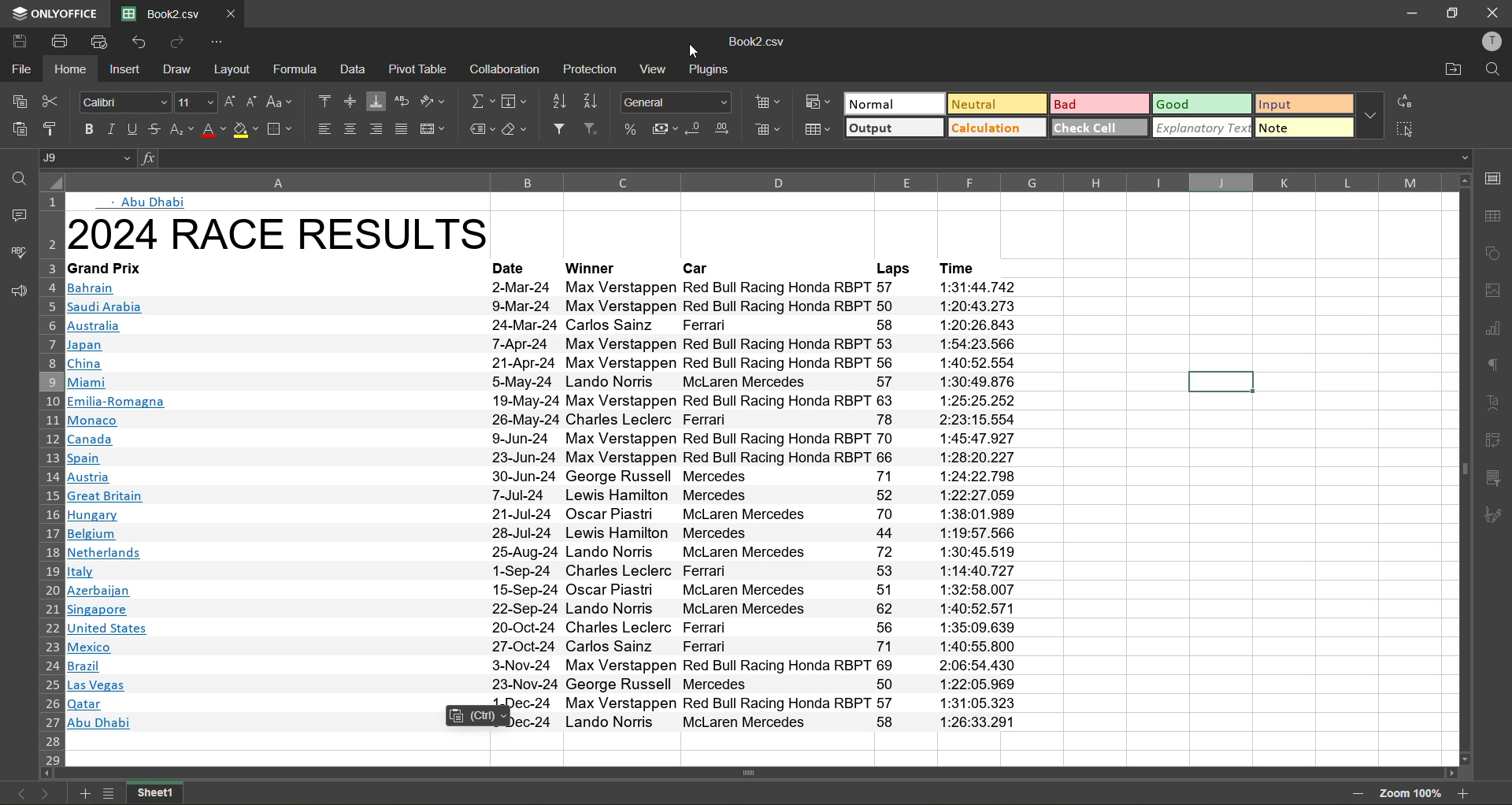 This screenshot has height=805, width=1512. I want to click on output, so click(894, 127).